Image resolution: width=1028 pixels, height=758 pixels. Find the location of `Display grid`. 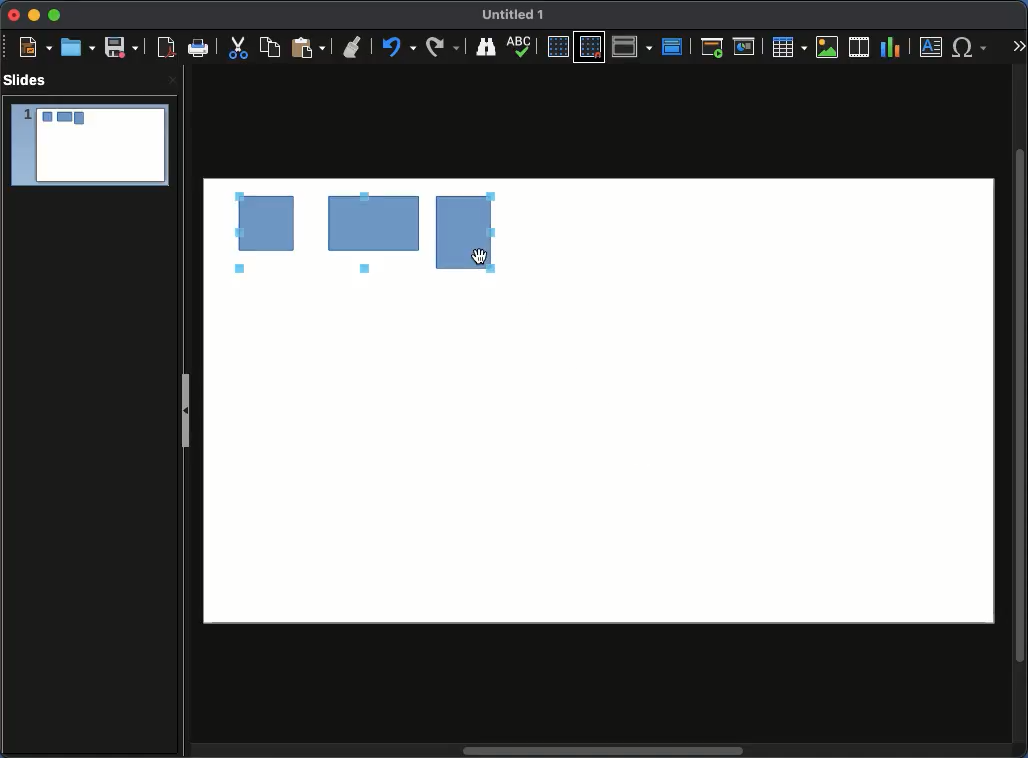

Display grid is located at coordinates (557, 47).